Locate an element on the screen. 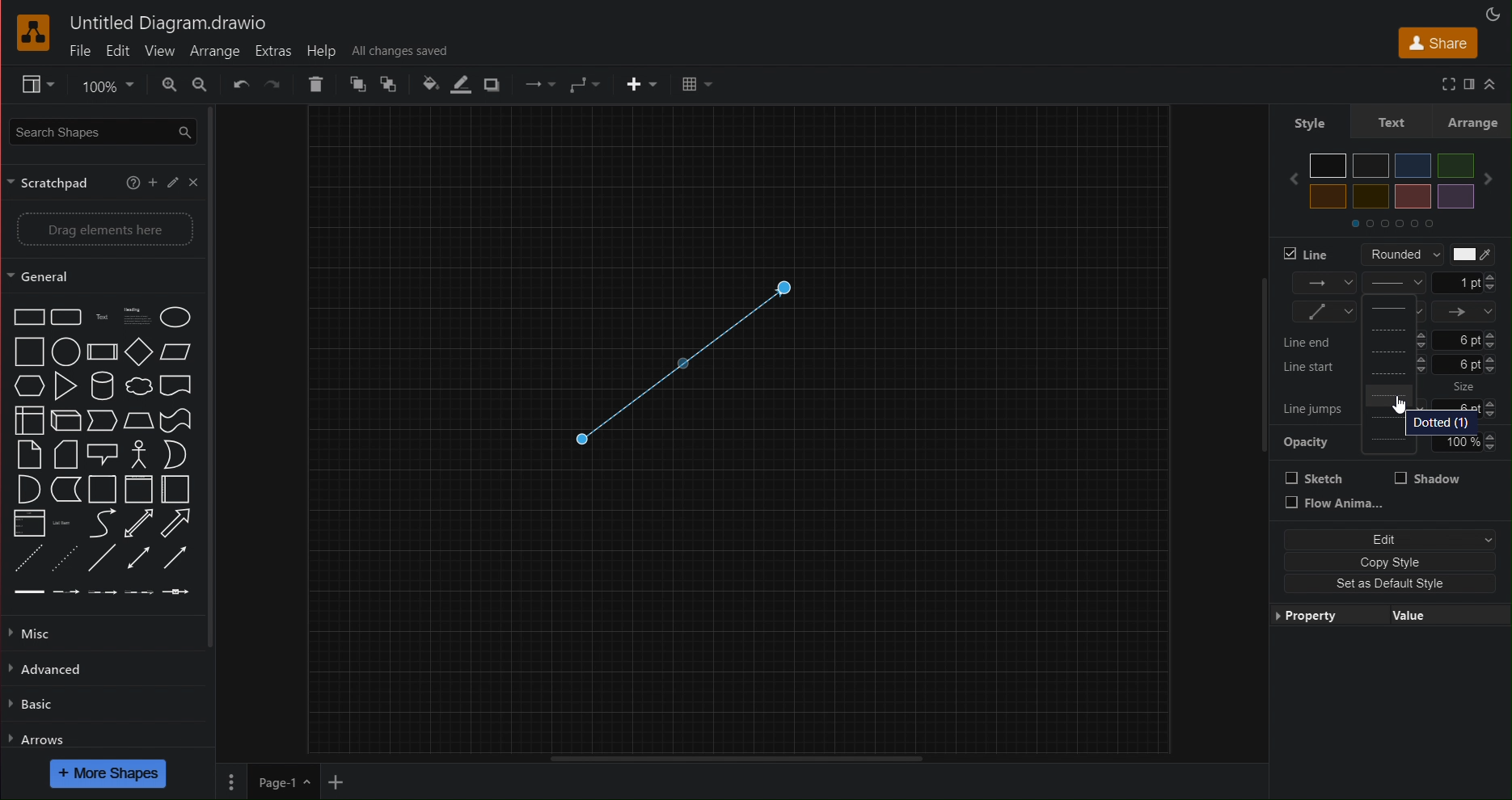 This screenshot has height=800, width=1512. Close is located at coordinates (193, 182).